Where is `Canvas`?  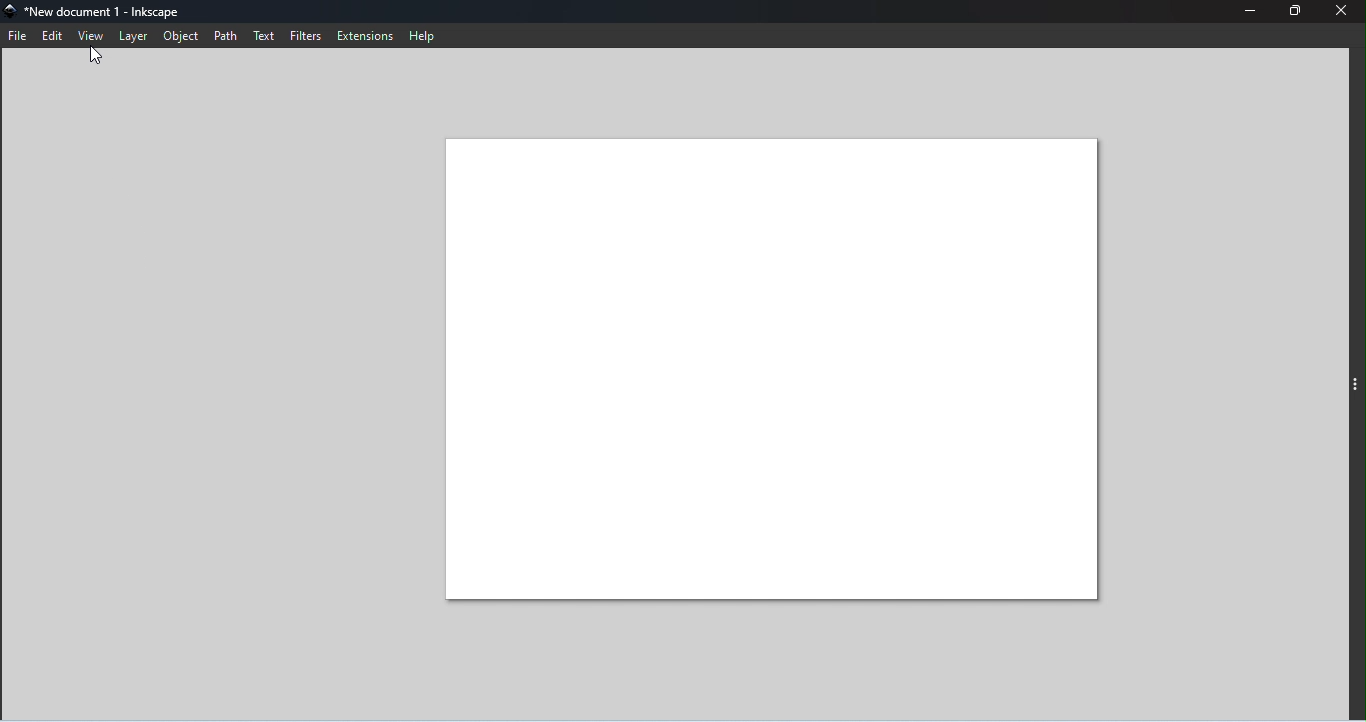 Canvas is located at coordinates (773, 369).